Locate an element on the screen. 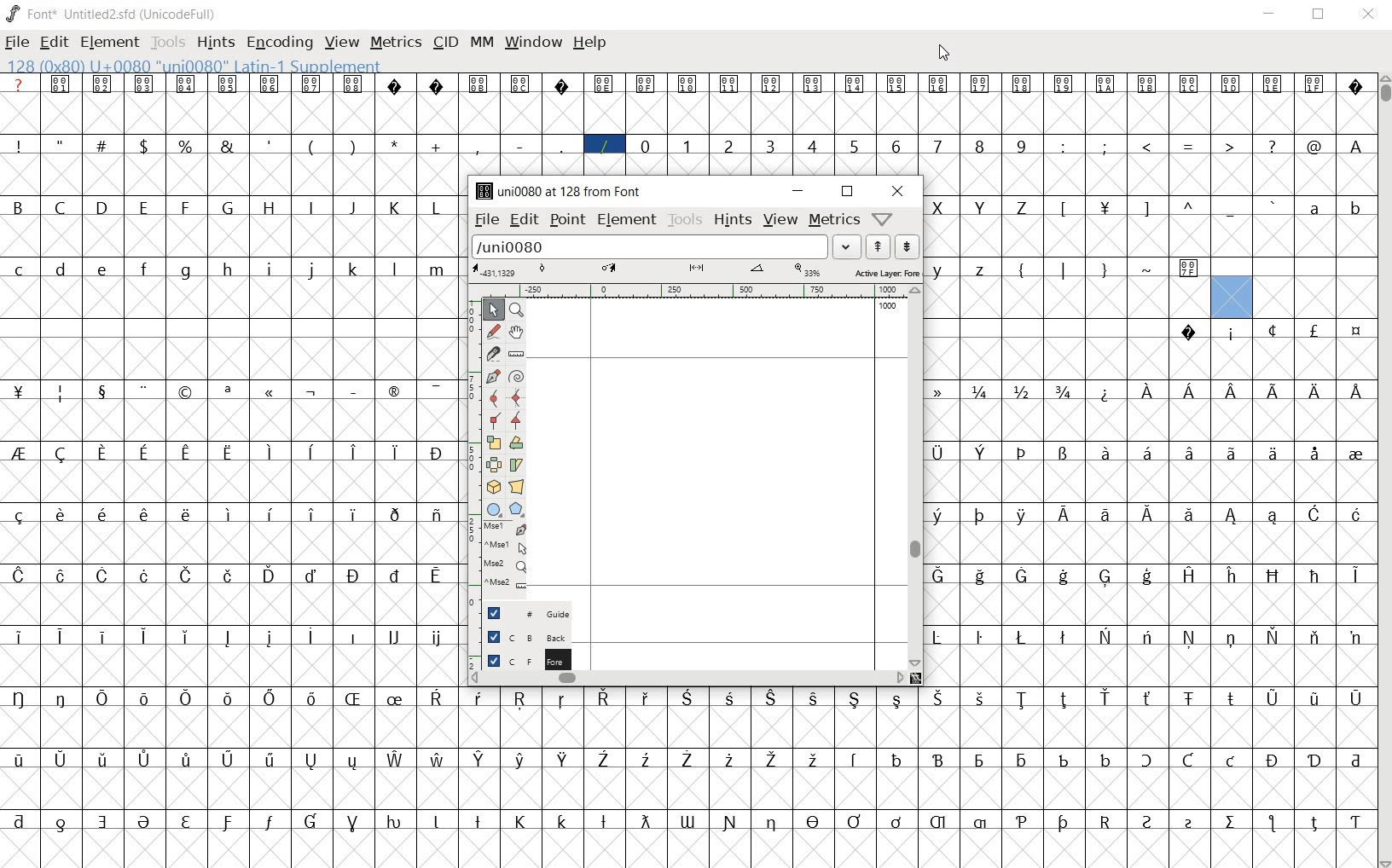 The width and height of the screenshot is (1392, 868). glyph is located at coordinates (1105, 209).